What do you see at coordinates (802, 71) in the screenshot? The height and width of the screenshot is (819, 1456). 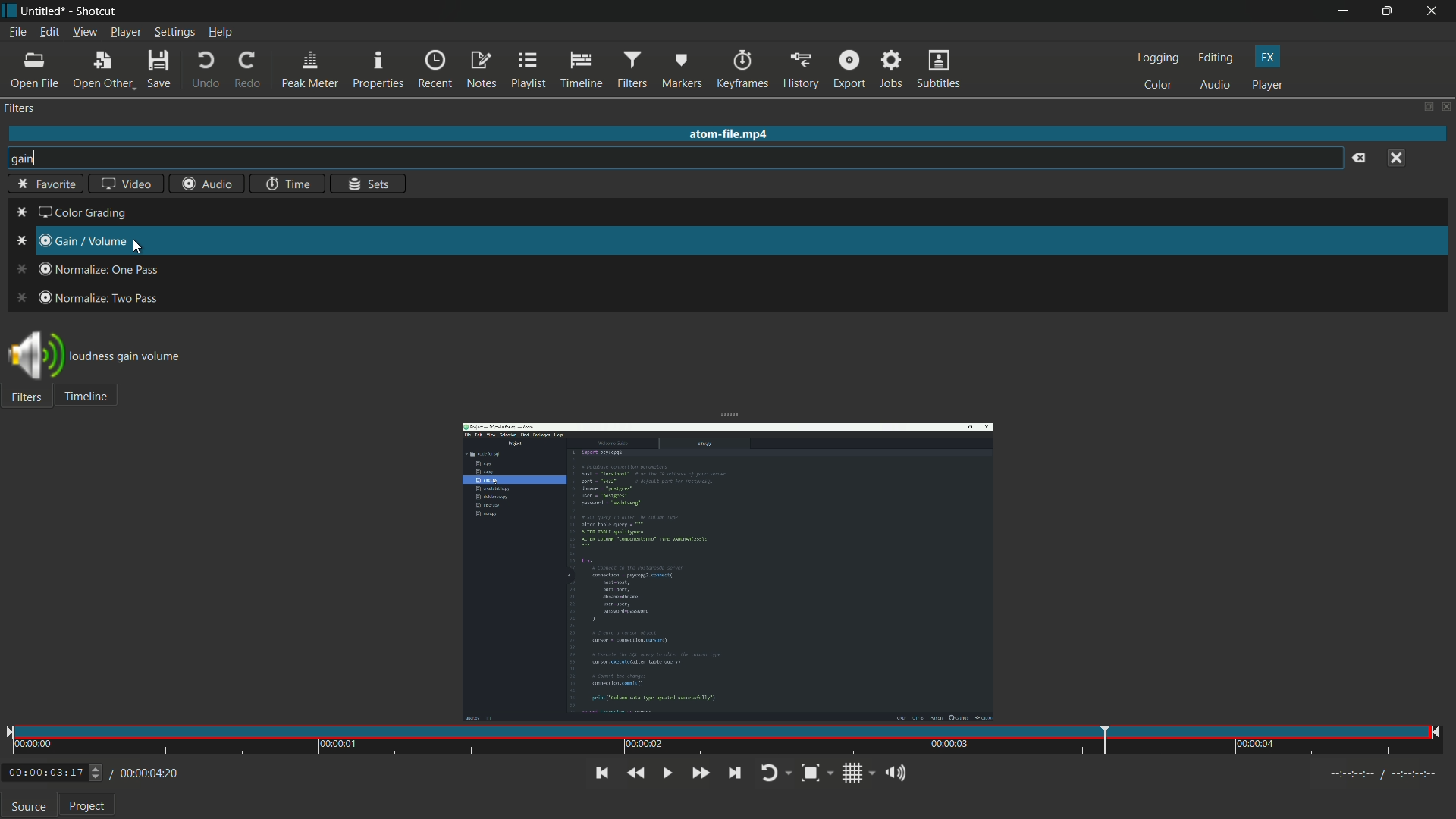 I see `history` at bounding box center [802, 71].